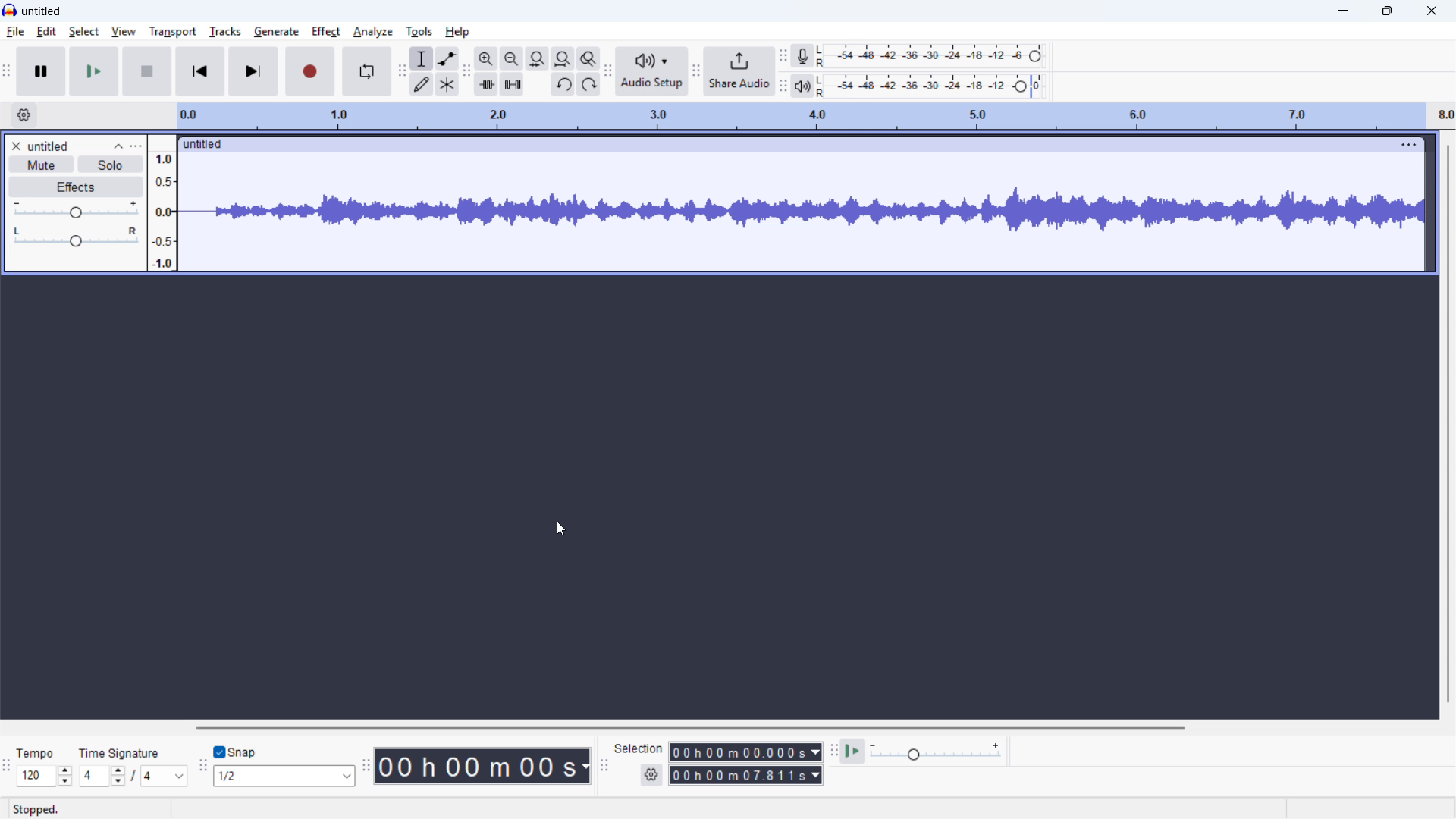  What do you see at coordinates (486, 85) in the screenshot?
I see `Trim audio outside selection ` at bounding box center [486, 85].